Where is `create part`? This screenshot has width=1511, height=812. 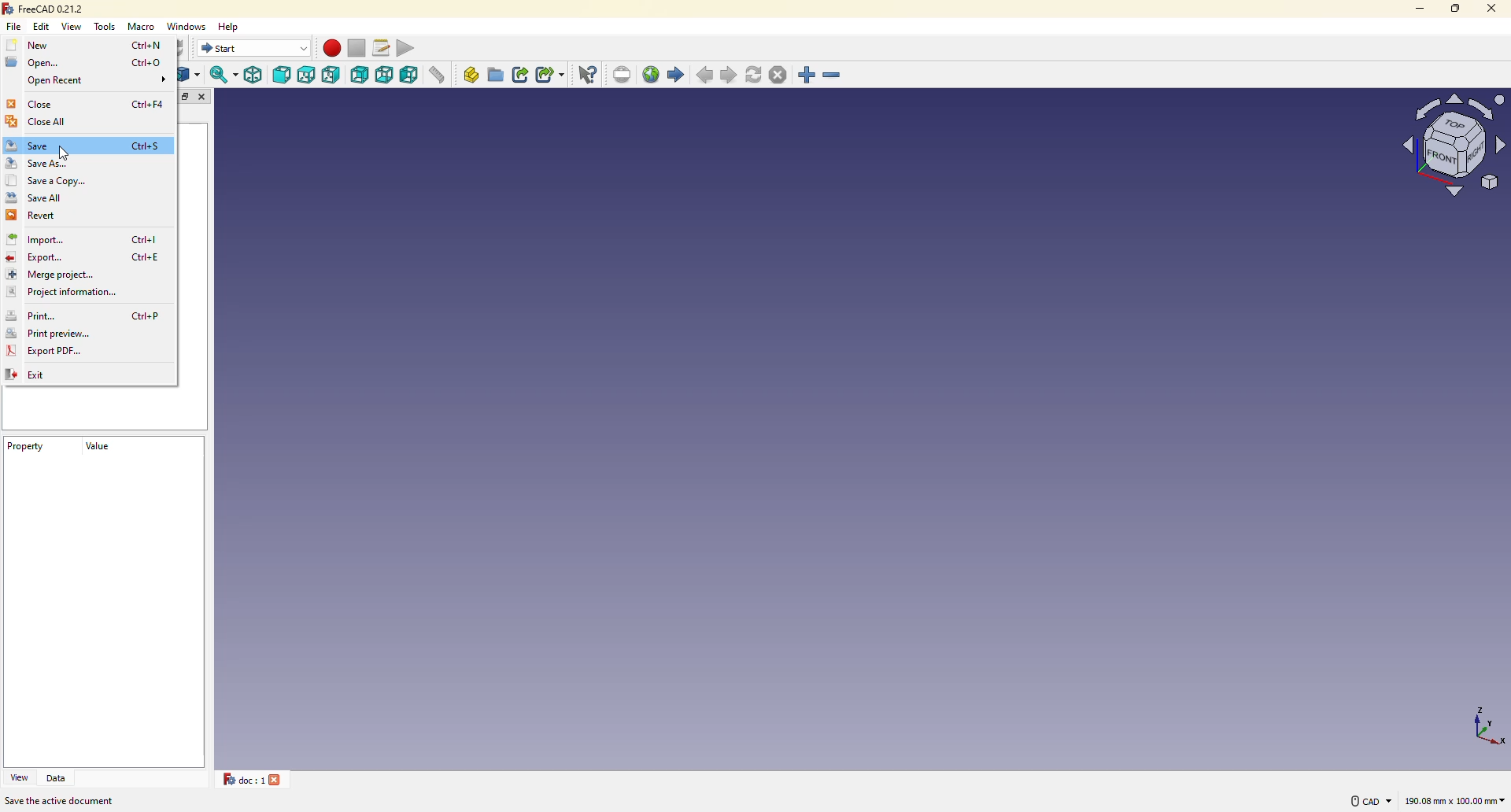 create part is located at coordinates (471, 74).